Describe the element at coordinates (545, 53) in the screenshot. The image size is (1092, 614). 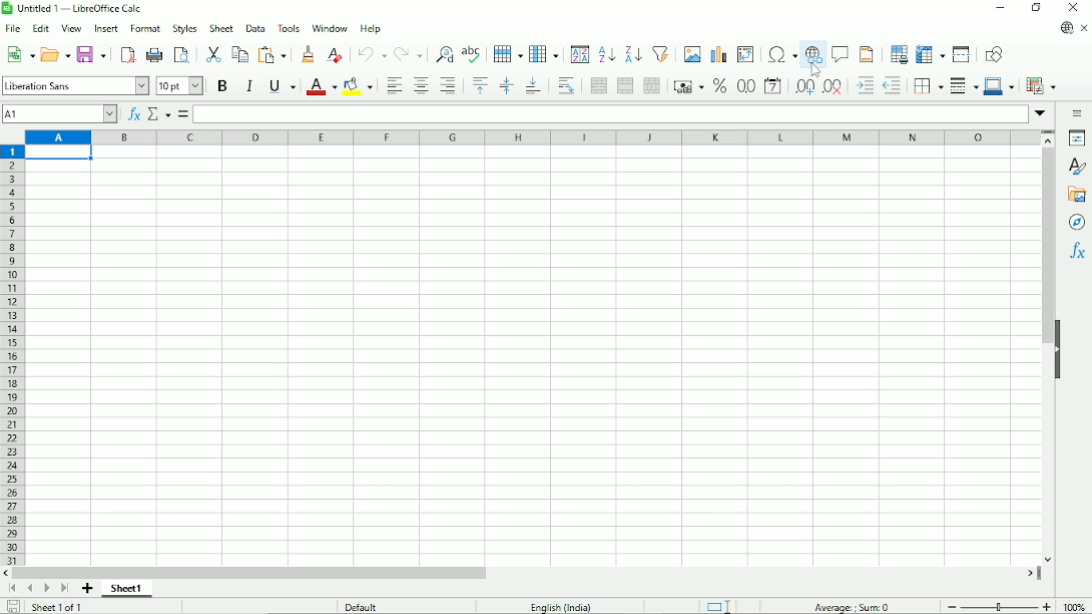
I see `Column` at that location.